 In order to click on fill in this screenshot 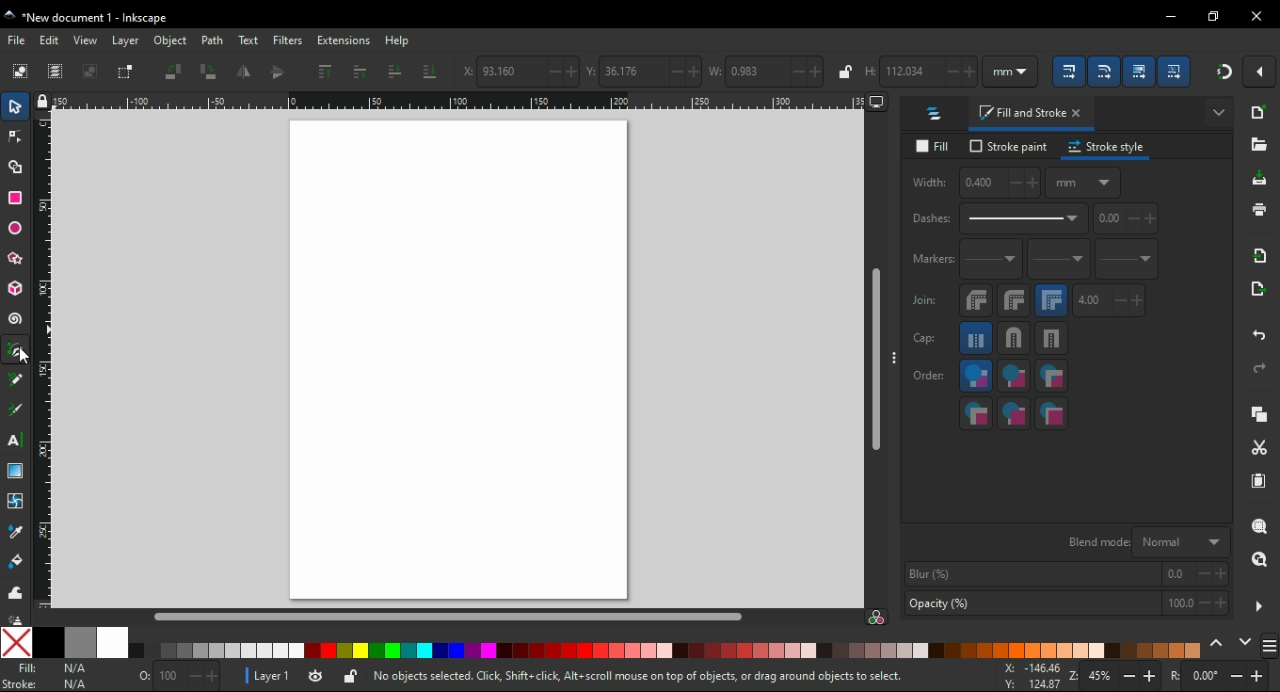, I will do `click(936, 147)`.